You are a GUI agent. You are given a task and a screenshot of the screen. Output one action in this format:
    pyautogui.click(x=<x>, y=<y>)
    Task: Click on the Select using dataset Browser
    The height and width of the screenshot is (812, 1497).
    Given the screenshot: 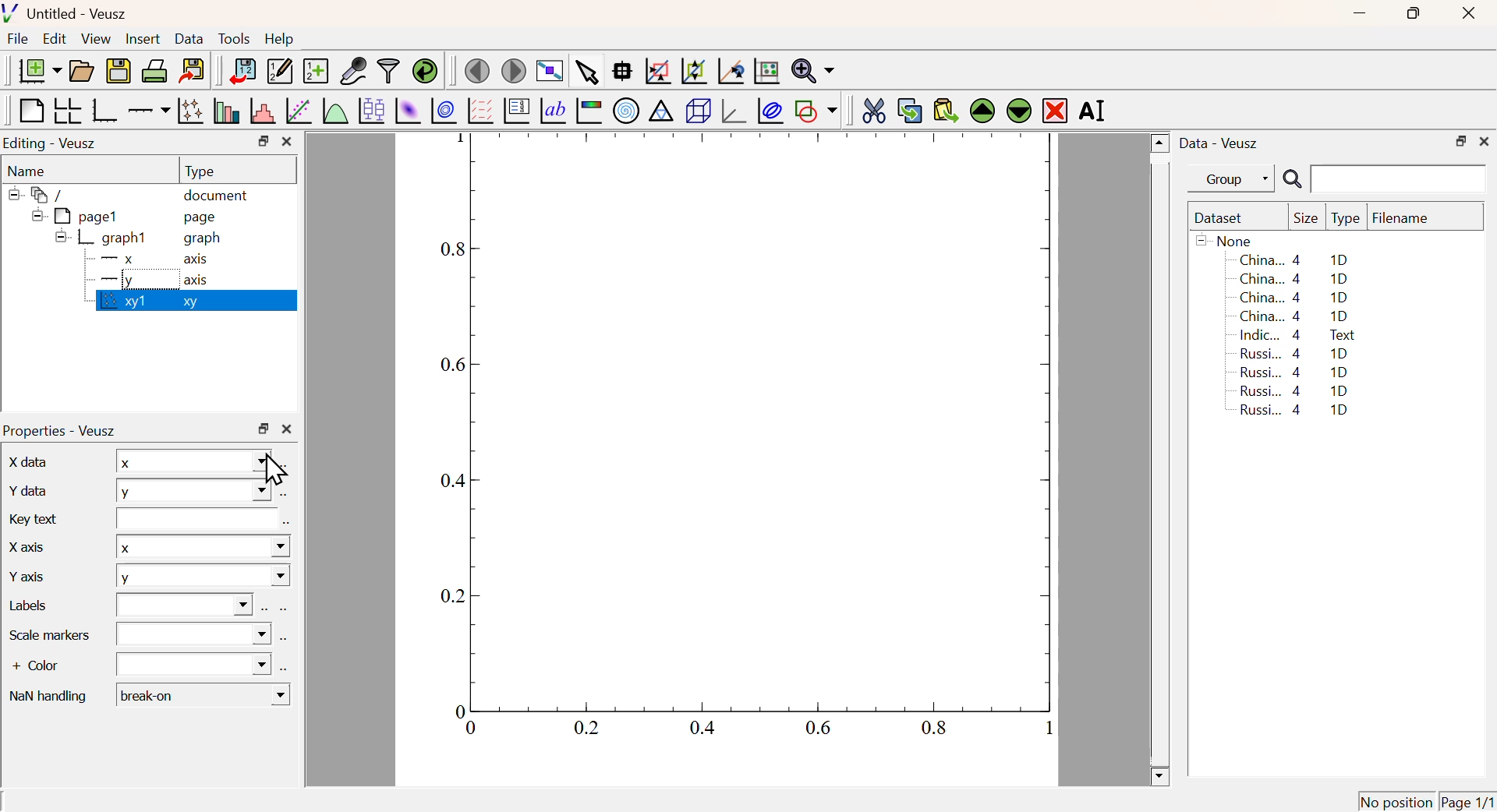 What is the action you would take?
    pyautogui.click(x=285, y=642)
    